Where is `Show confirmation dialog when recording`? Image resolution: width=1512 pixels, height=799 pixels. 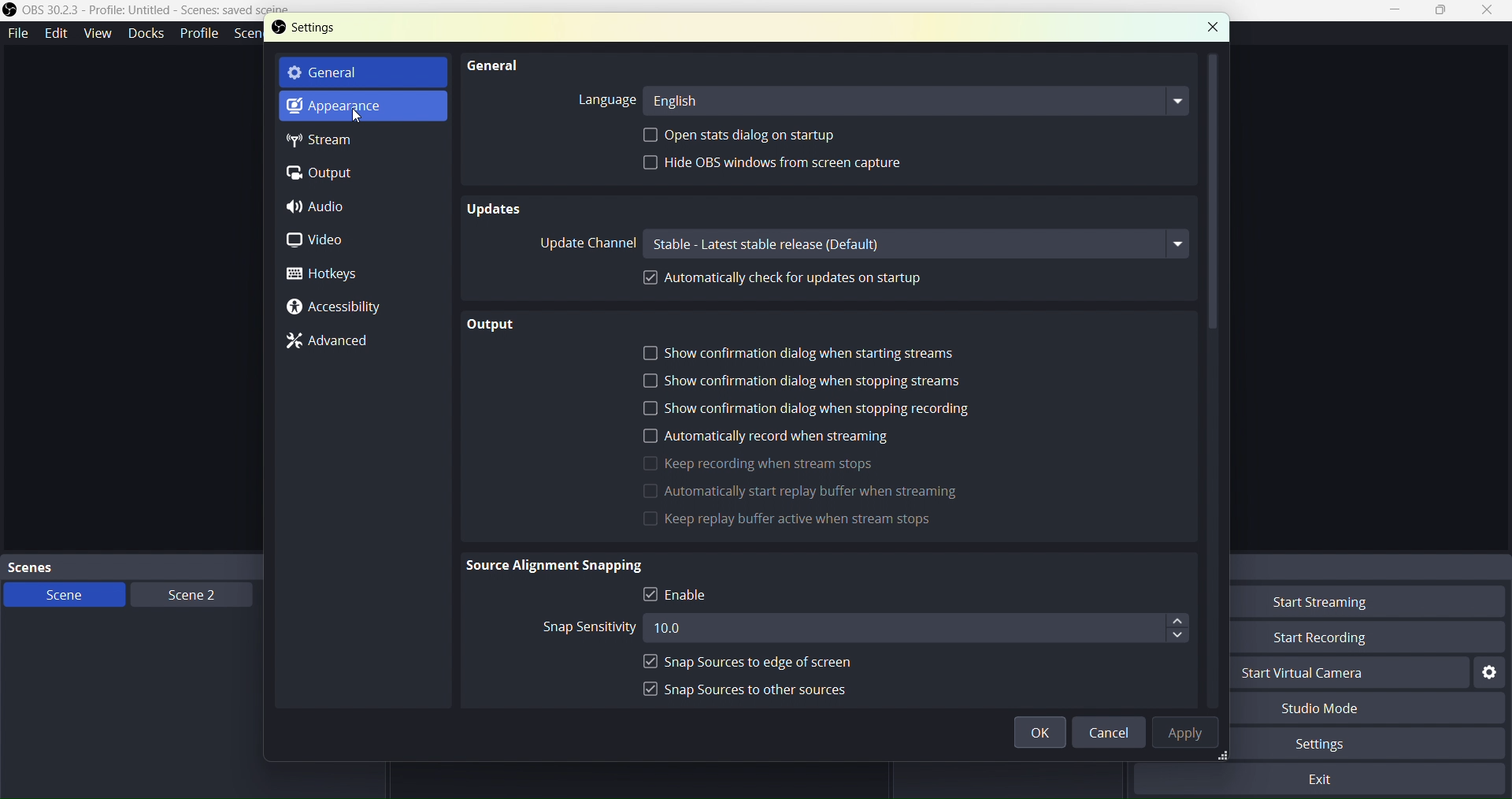 Show confirmation dialog when recording is located at coordinates (787, 407).